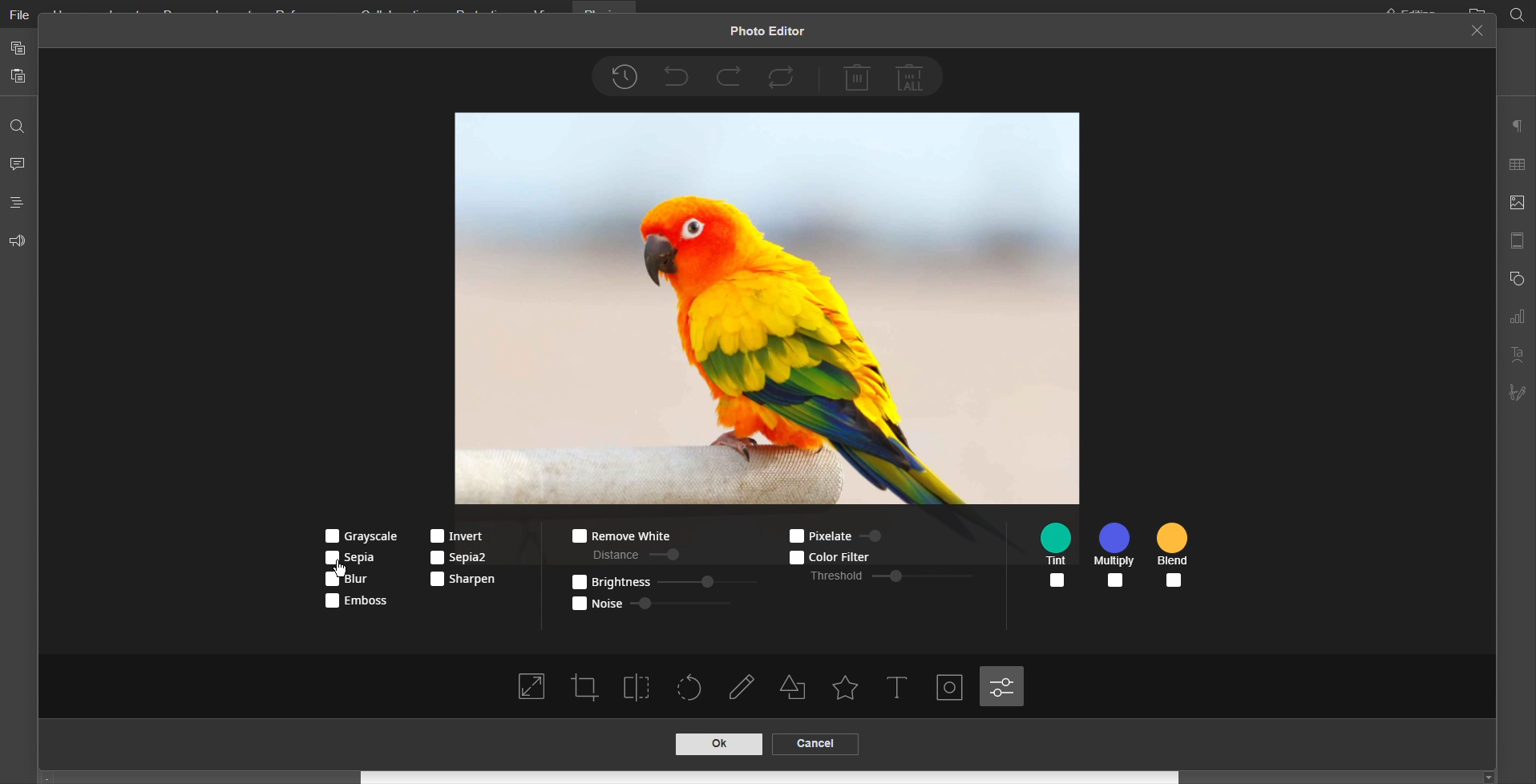 The image size is (1536, 784). Describe the element at coordinates (18, 240) in the screenshot. I see `Feedback and Support` at that location.